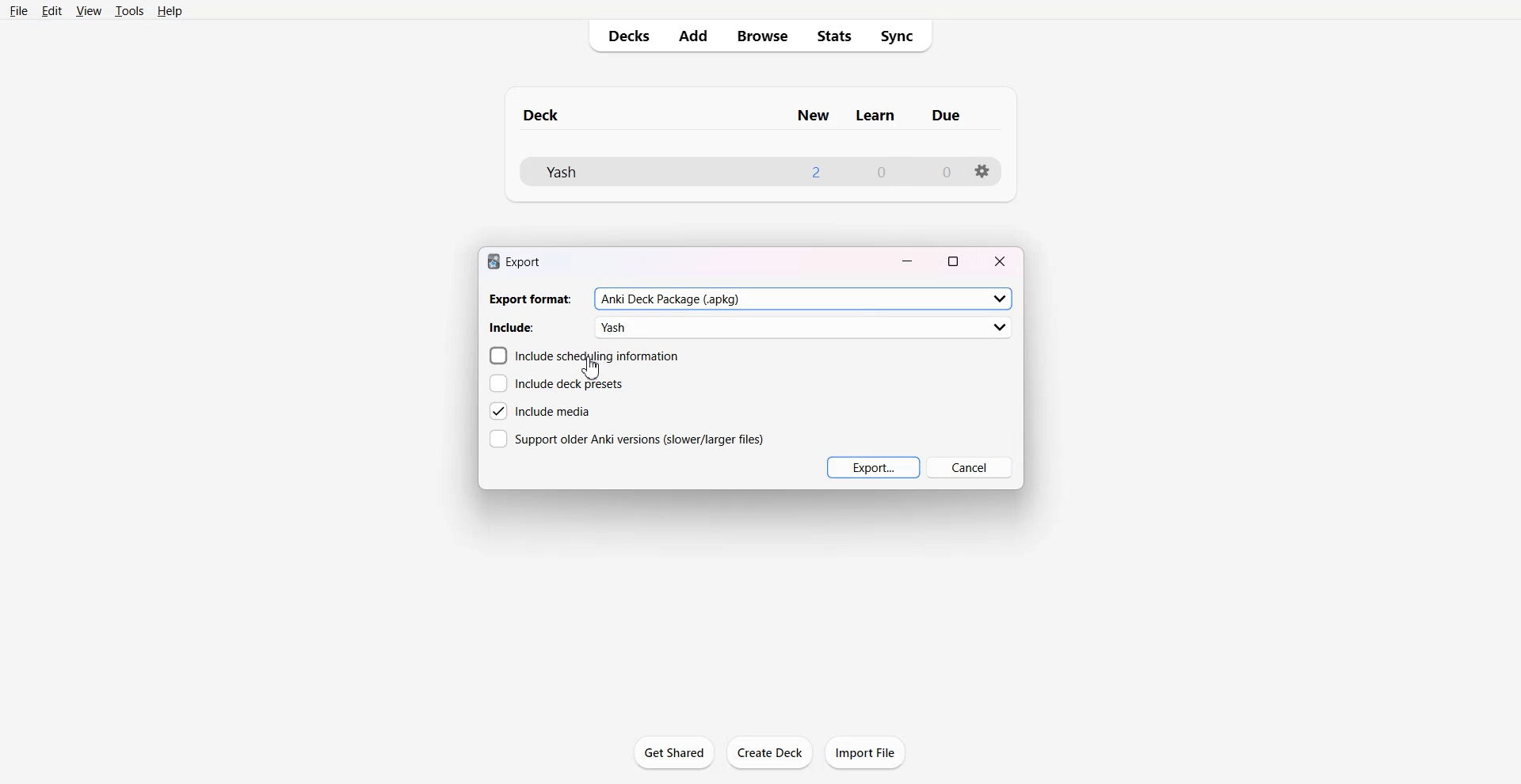 The image size is (1521, 784). What do you see at coordinates (627, 438) in the screenshot?
I see `Support older Anki versions` at bounding box center [627, 438].